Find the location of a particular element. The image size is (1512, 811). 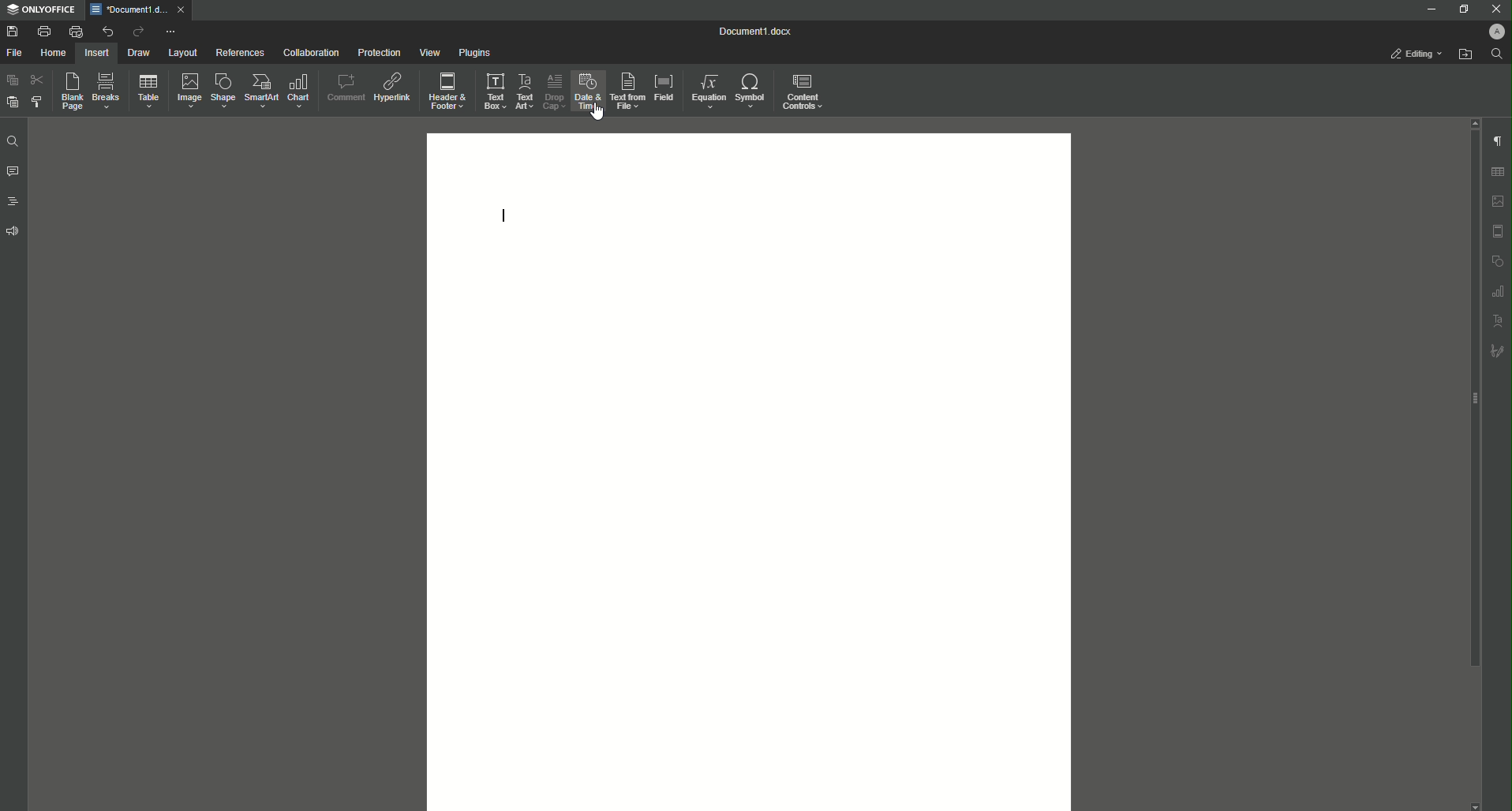

Comment is located at coordinates (344, 85).